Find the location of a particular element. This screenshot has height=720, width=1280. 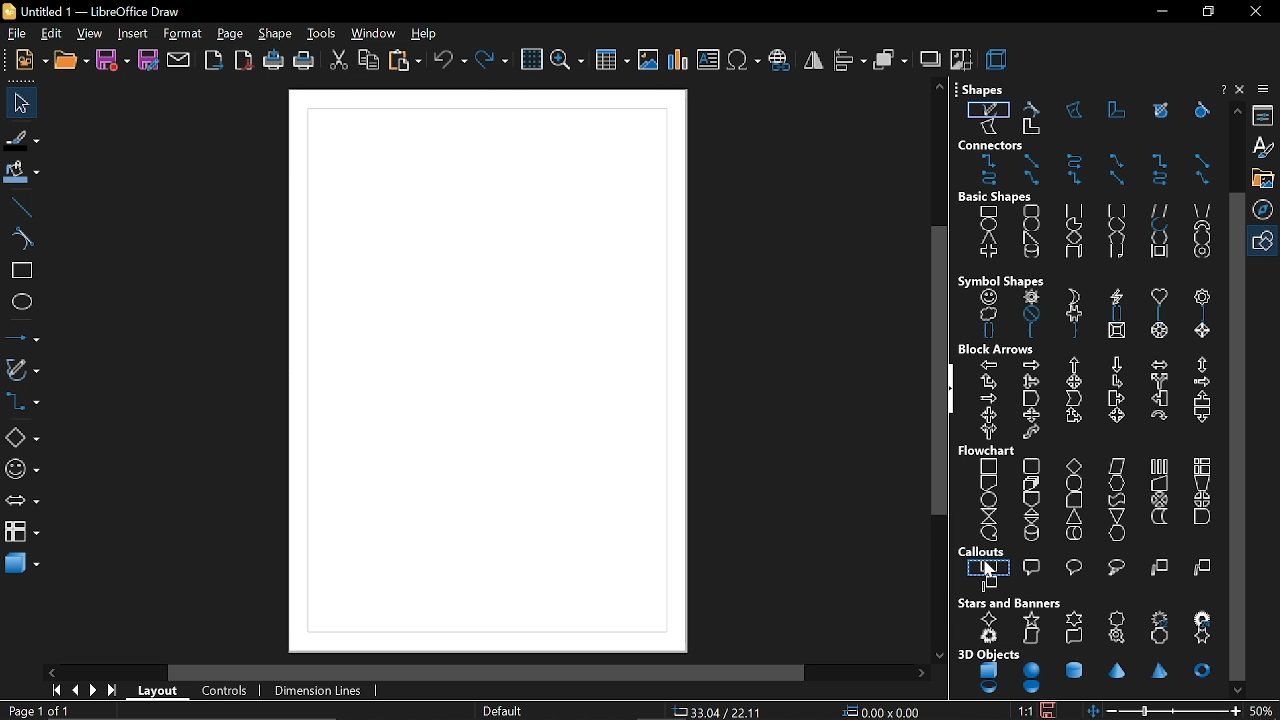

24 point star is located at coordinates (1203, 617).